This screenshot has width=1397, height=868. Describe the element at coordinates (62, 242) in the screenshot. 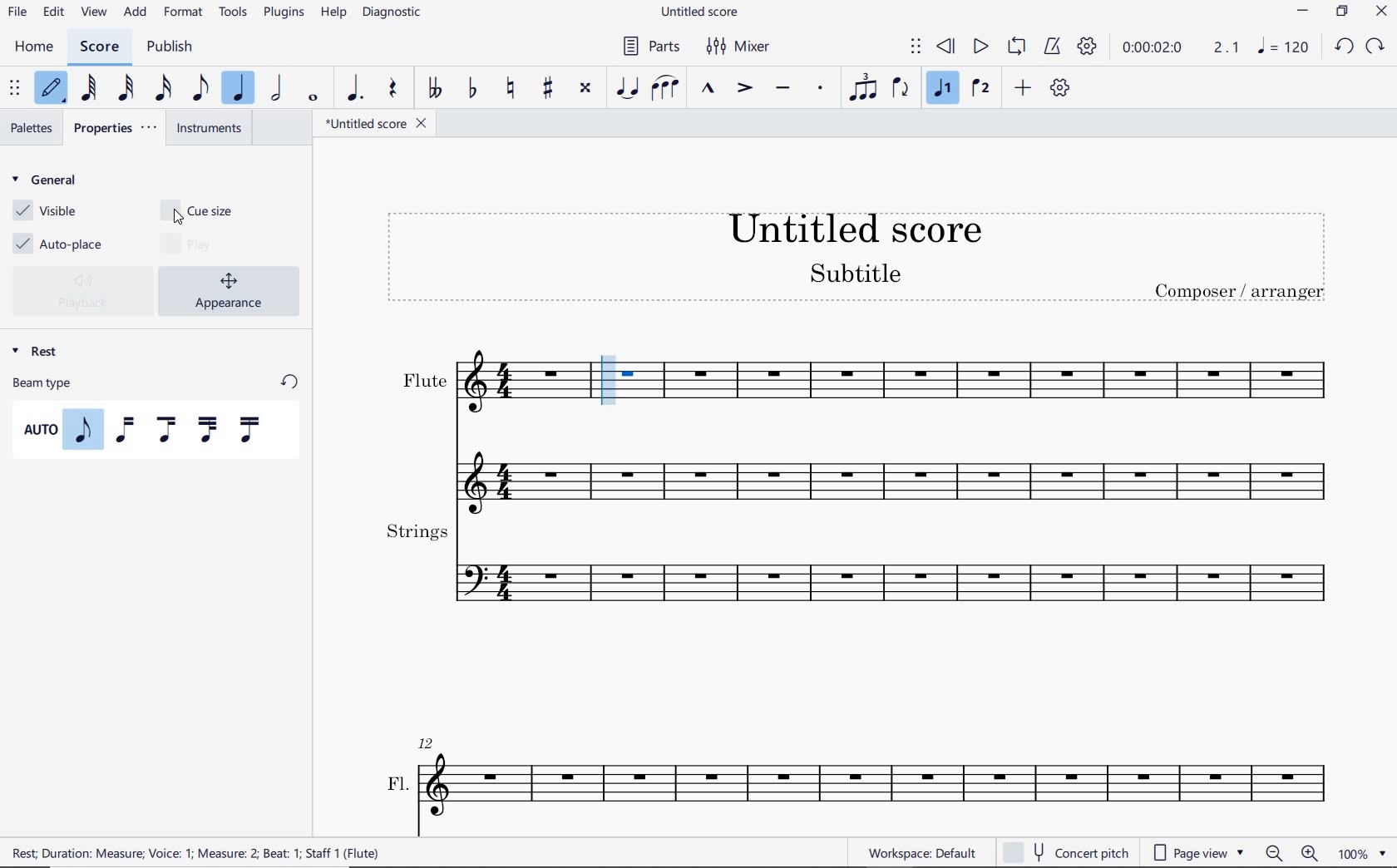

I see `AUTO-PLACE` at that location.